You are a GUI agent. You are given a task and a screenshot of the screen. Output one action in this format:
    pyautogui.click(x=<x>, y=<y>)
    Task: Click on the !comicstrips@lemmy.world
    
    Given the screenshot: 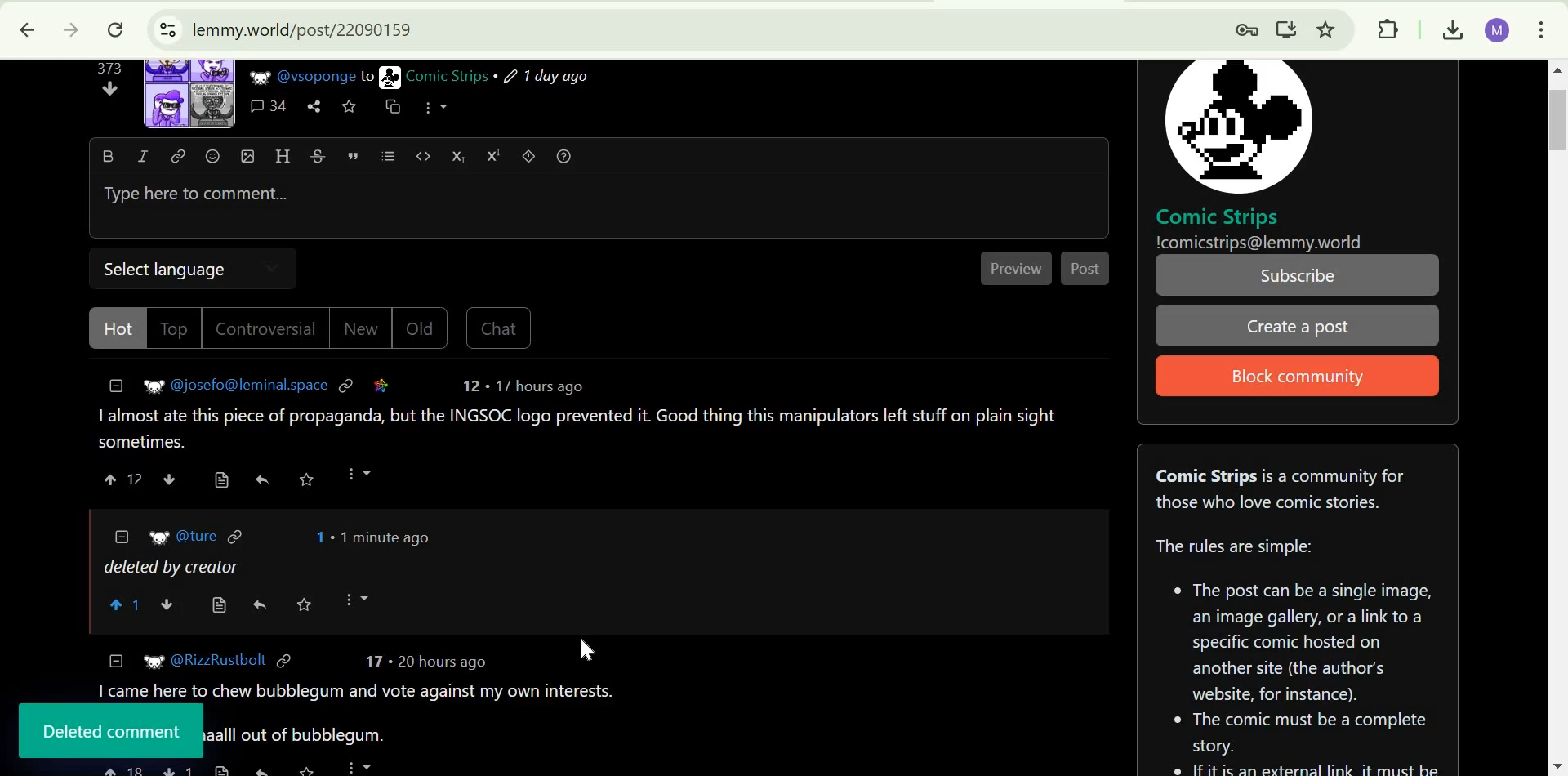 What is the action you would take?
    pyautogui.click(x=1260, y=243)
    